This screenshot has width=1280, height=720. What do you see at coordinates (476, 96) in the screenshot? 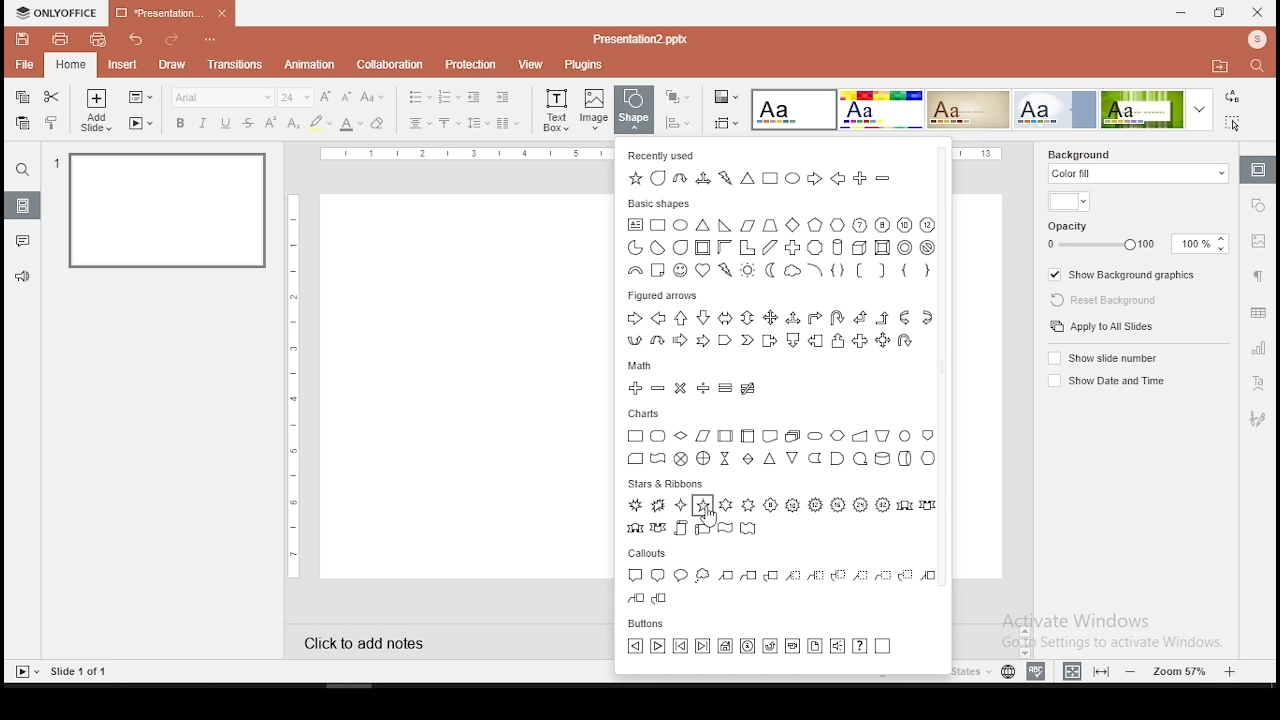
I see `decrease indent` at bounding box center [476, 96].